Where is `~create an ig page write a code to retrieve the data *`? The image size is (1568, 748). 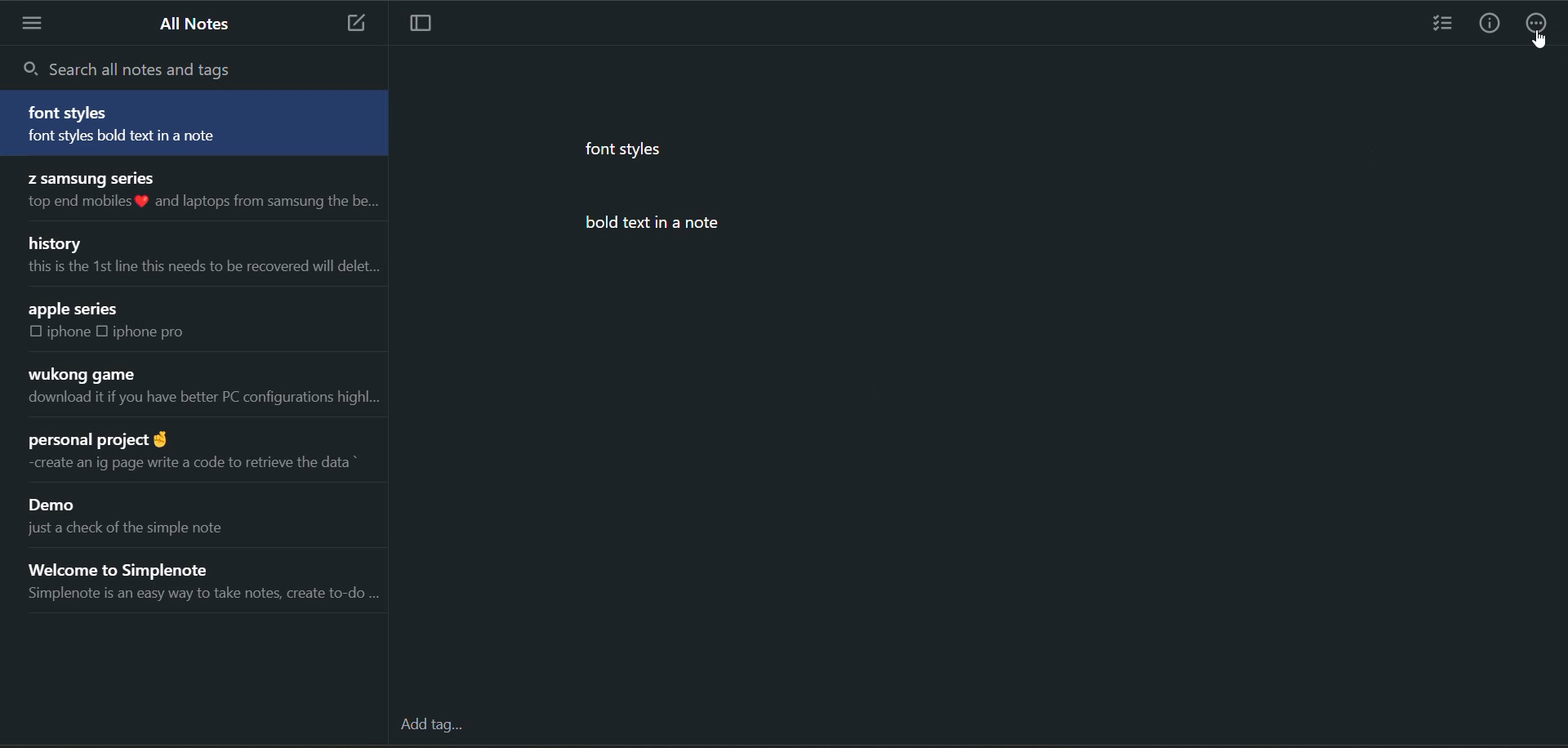 ~create an ig page write a code to retrieve the data * is located at coordinates (188, 462).